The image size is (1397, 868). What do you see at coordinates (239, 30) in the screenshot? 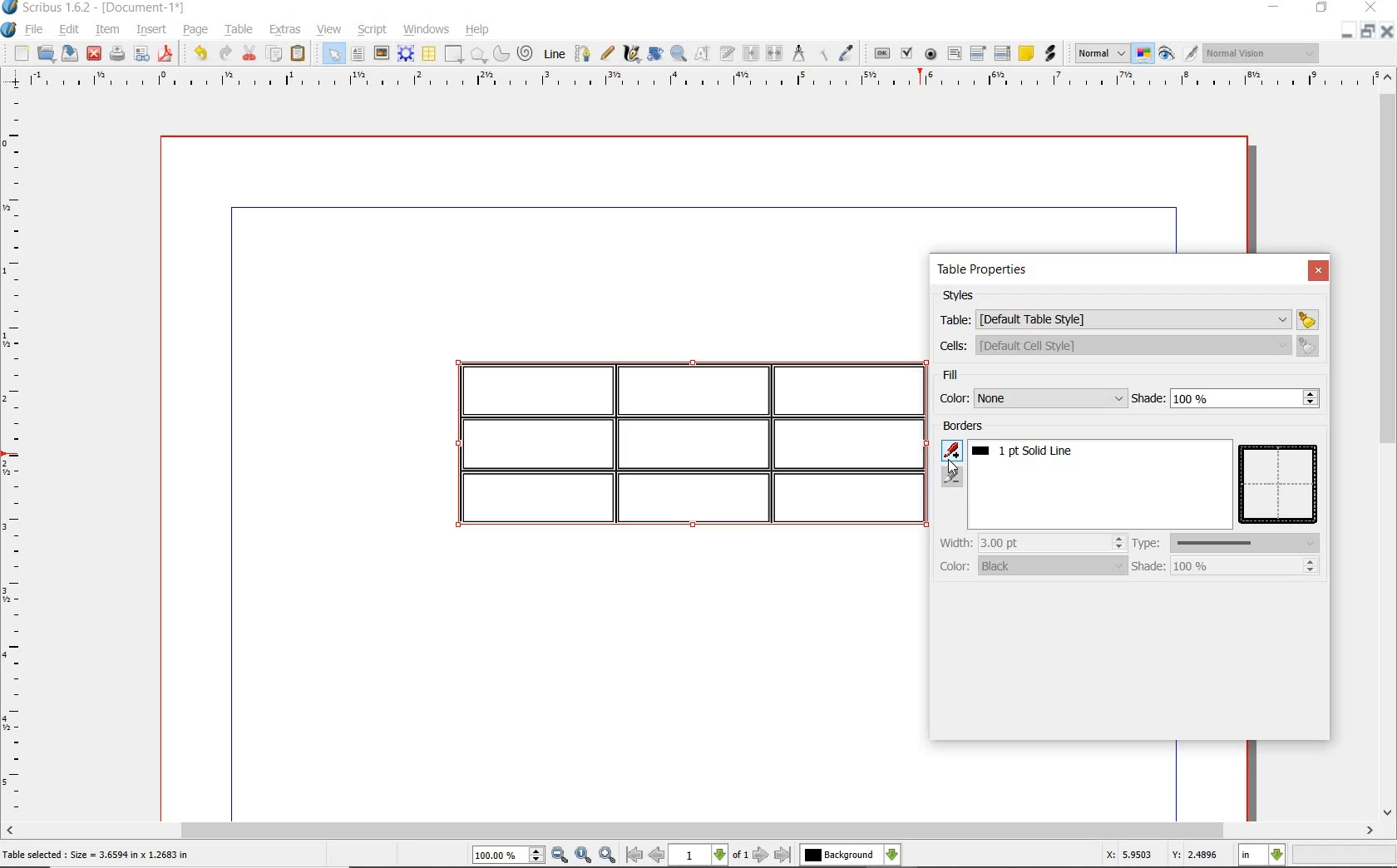
I see `table` at bounding box center [239, 30].